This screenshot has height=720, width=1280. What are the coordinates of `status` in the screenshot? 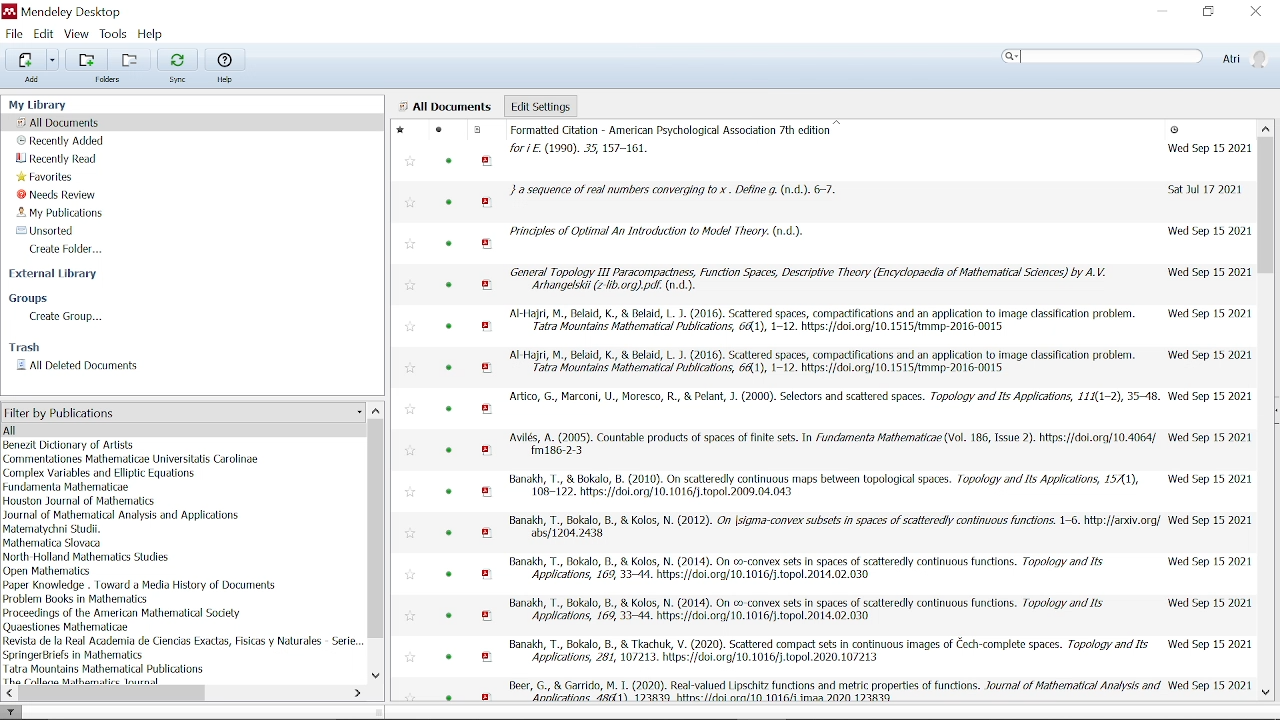 It's located at (448, 452).